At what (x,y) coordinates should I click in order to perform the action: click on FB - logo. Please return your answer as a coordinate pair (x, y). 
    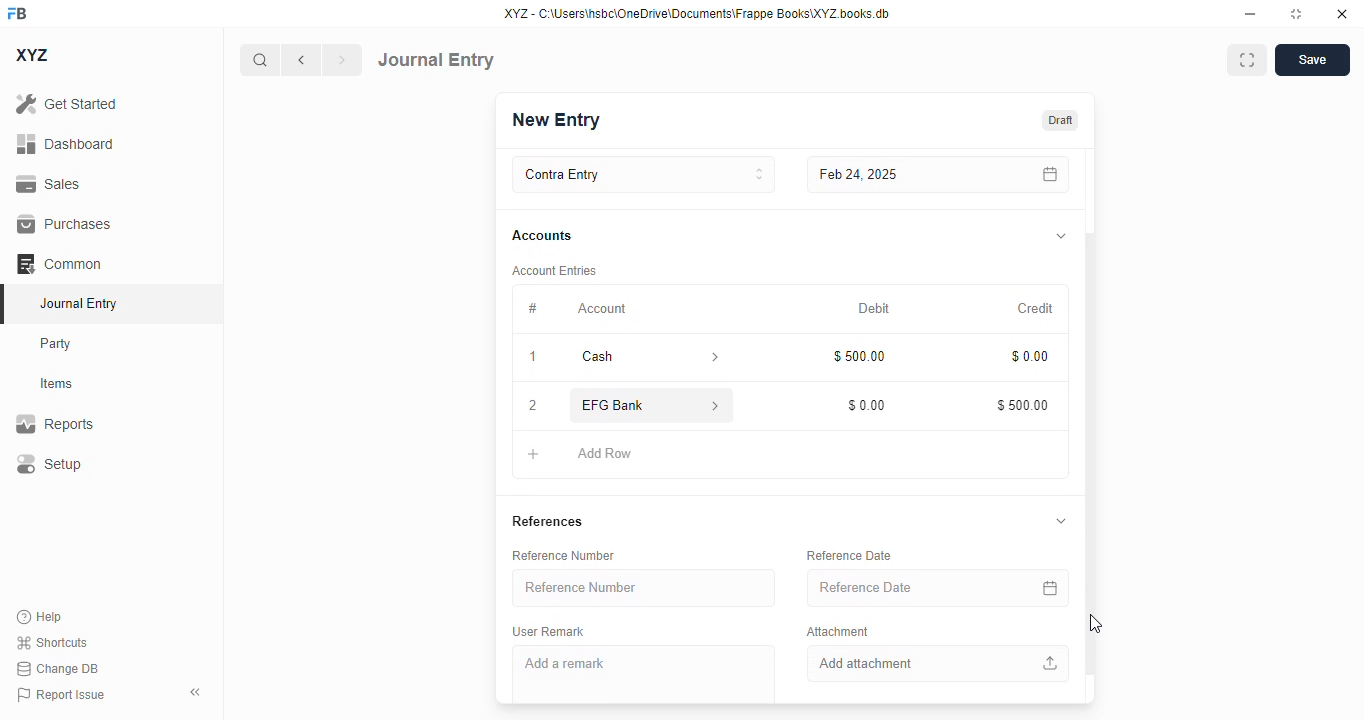
    Looking at the image, I should click on (17, 13).